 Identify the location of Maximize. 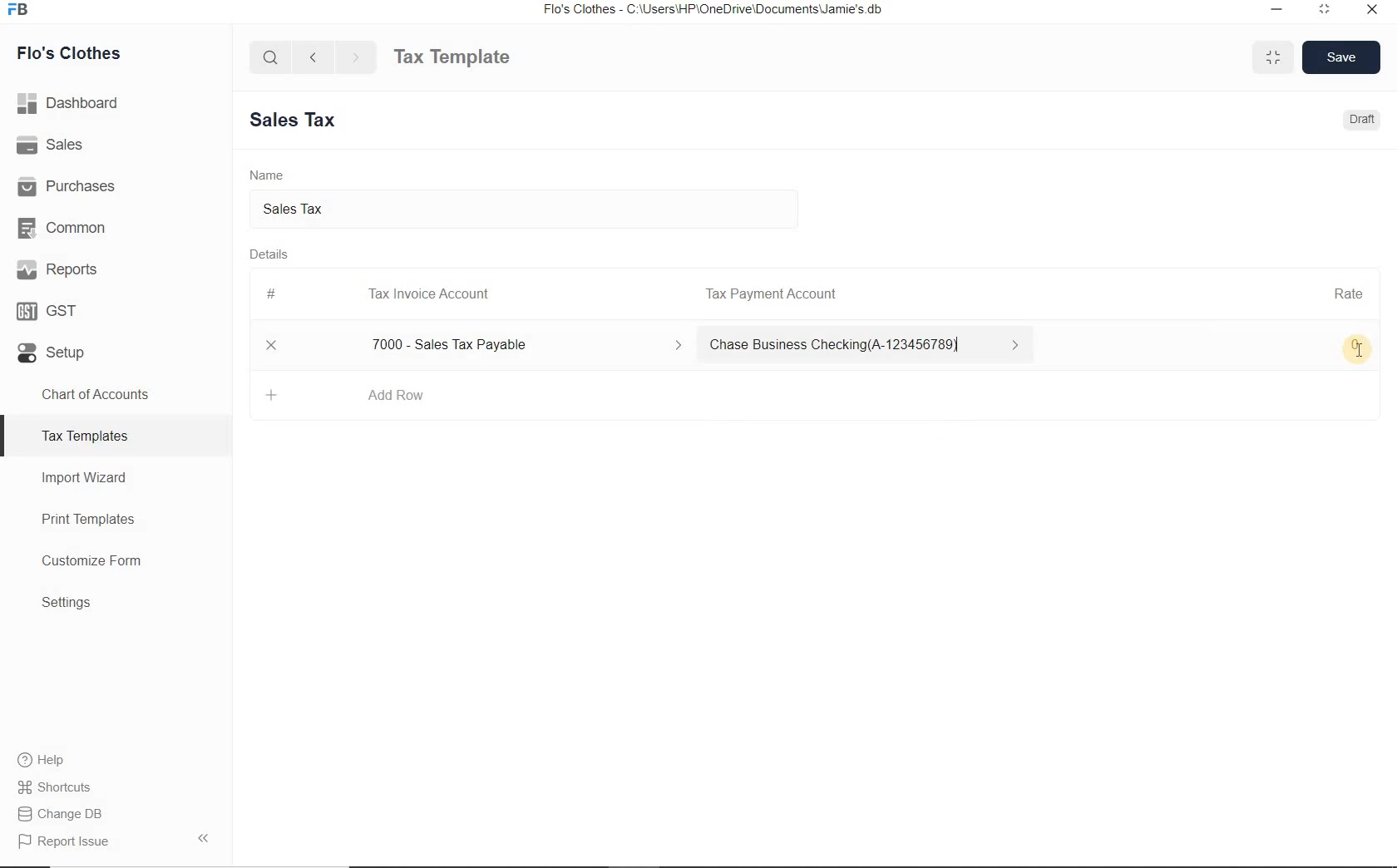
(1273, 57).